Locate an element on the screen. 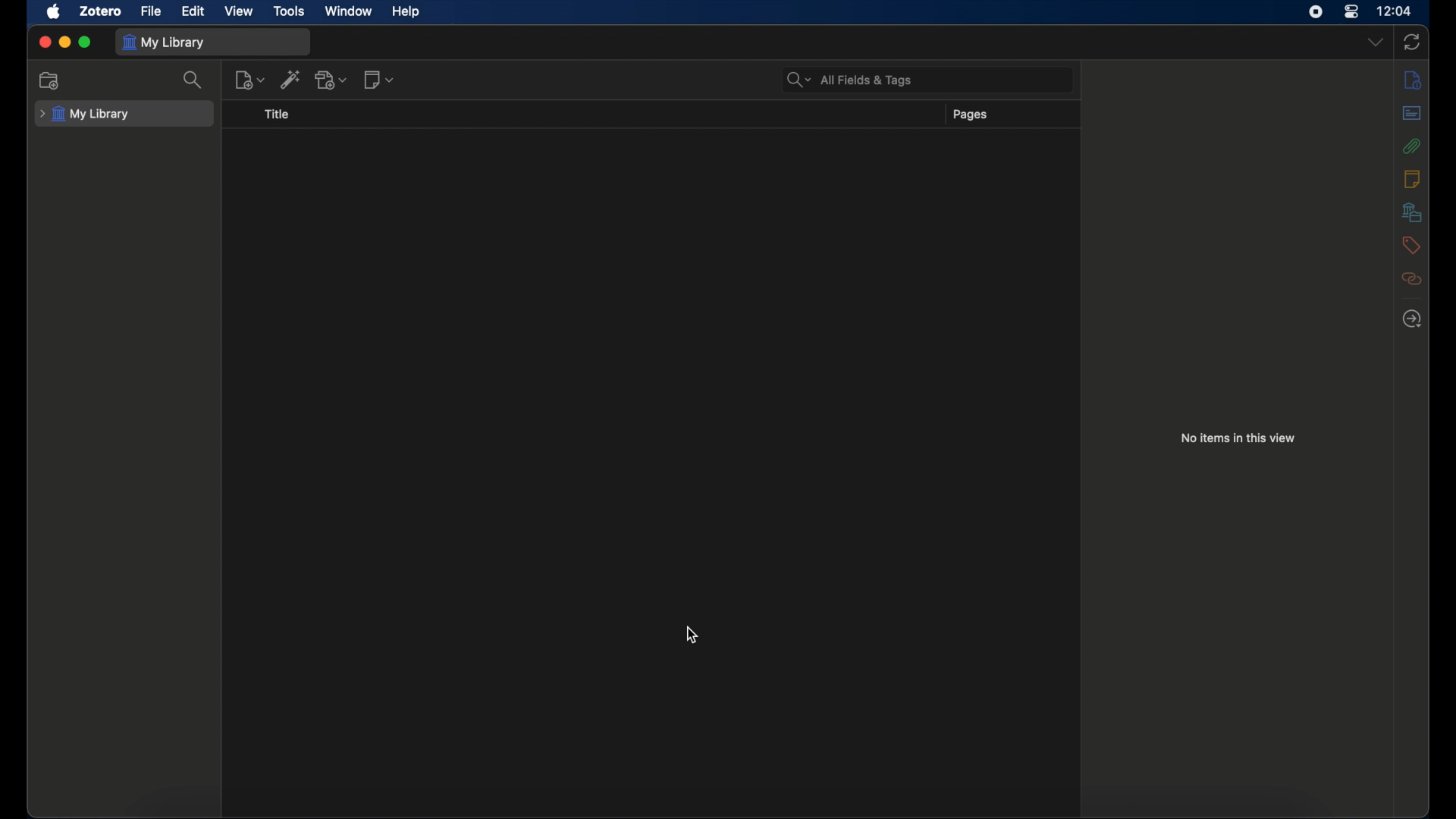 The image size is (1456, 819). add attachments is located at coordinates (331, 80).